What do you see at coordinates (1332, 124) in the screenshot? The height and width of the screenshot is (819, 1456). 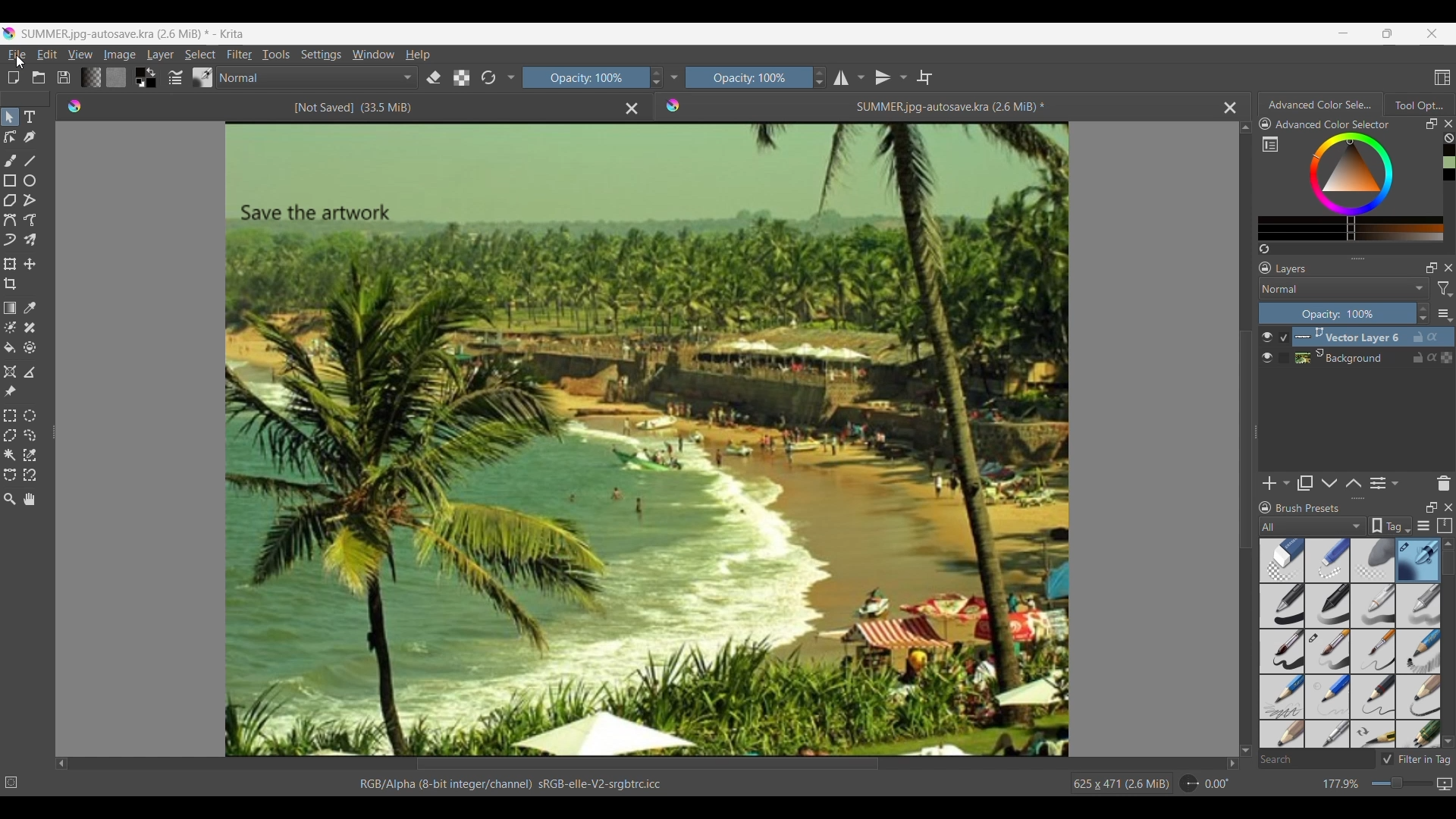 I see `Name of current color setting` at bounding box center [1332, 124].